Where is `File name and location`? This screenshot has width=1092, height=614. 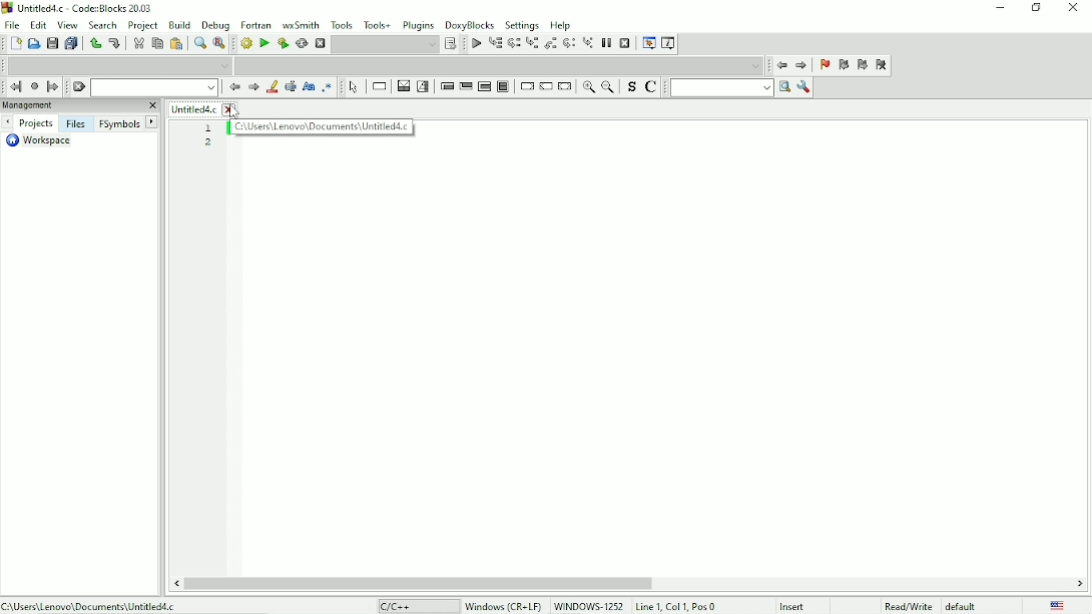 File name and location is located at coordinates (322, 126).